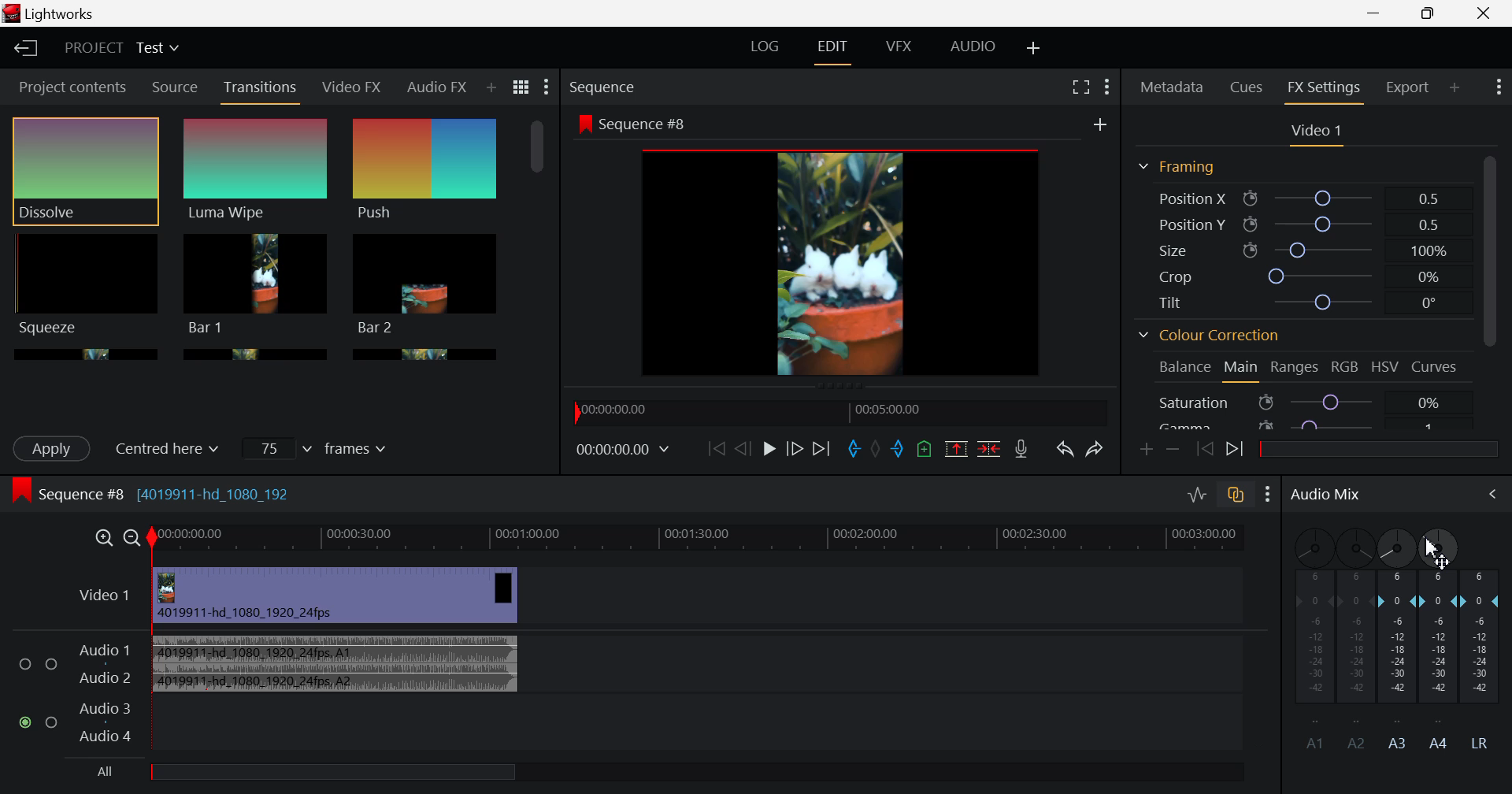 Image resolution: width=1512 pixels, height=794 pixels. What do you see at coordinates (1214, 334) in the screenshot?
I see `Colour Correction` at bounding box center [1214, 334].